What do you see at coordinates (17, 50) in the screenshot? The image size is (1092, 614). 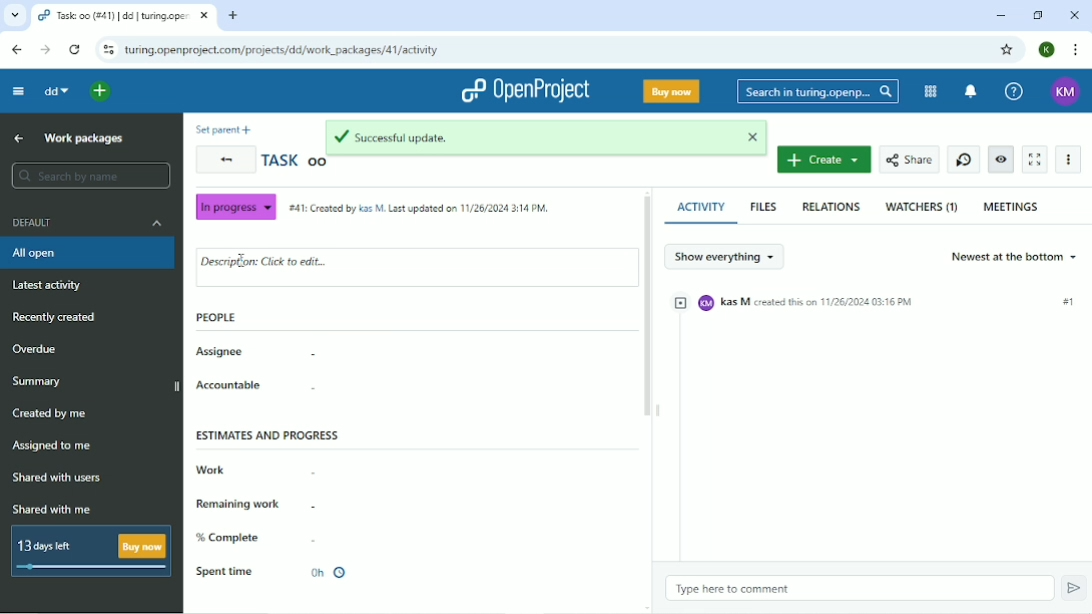 I see `Back` at bounding box center [17, 50].